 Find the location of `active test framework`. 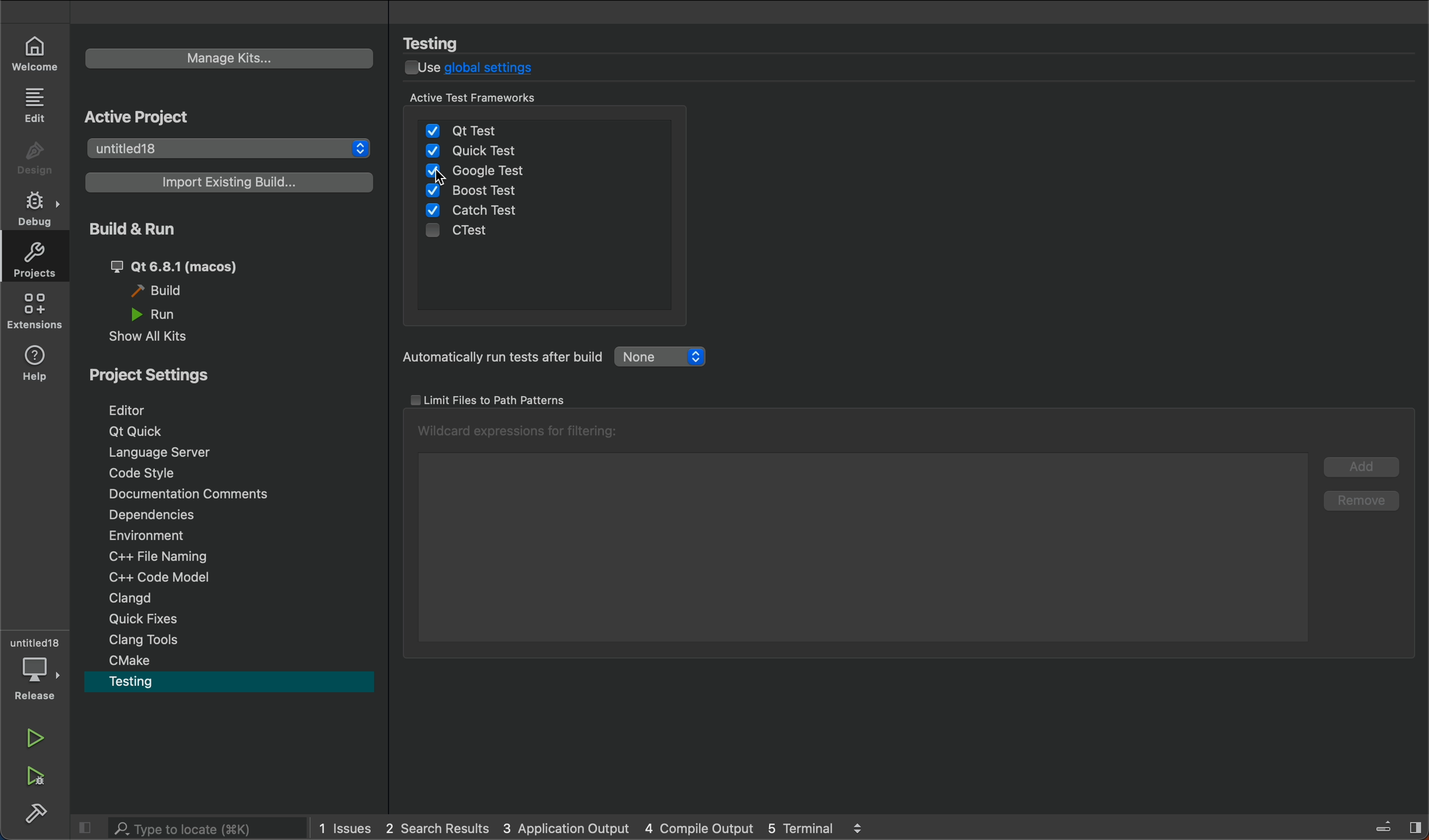

active test framework is located at coordinates (492, 96).